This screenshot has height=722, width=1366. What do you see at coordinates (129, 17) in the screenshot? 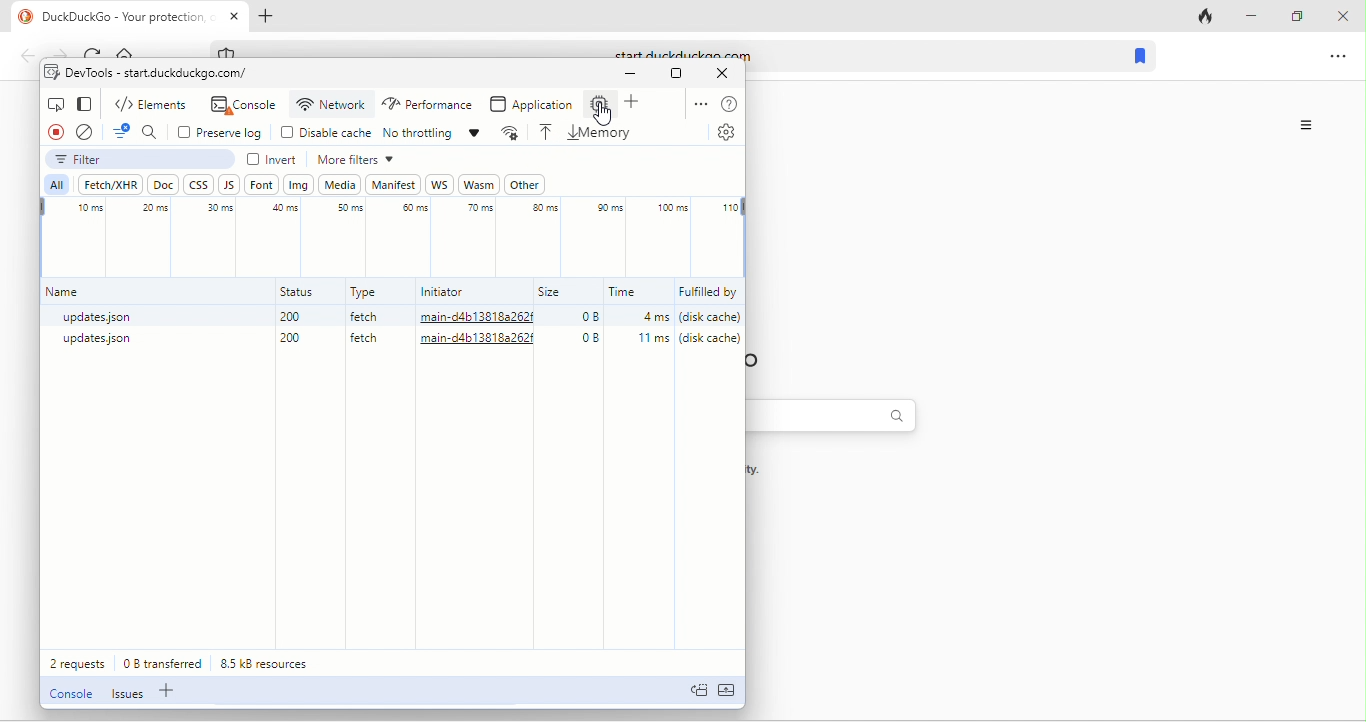
I see `title` at bounding box center [129, 17].